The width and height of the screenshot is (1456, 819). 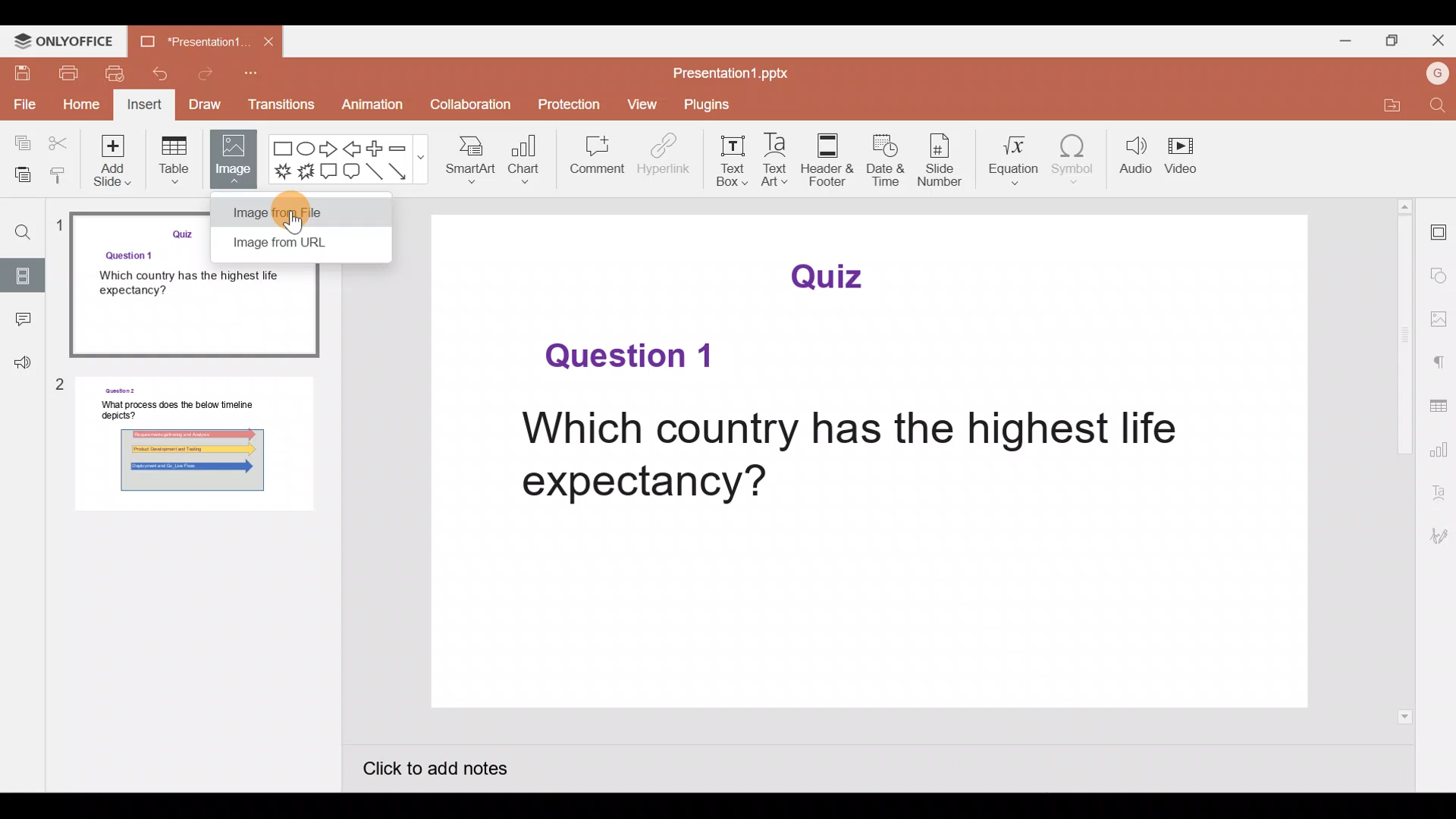 What do you see at coordinates (464, 104) in the screenshot?
I see `Collaboration` at bounding box center [464, 104].